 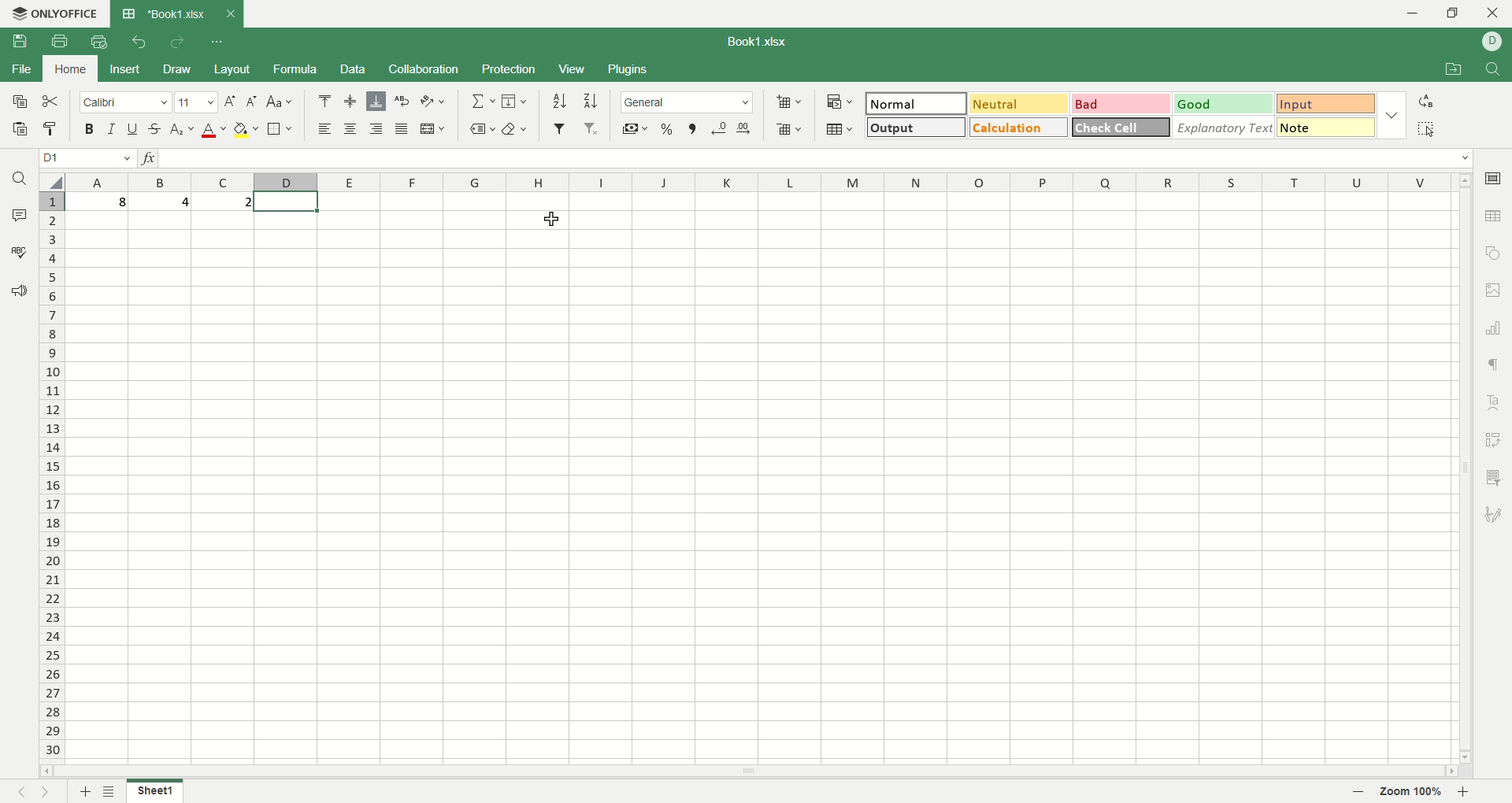 I want to click on align bottom, so click(x=376, y=101).